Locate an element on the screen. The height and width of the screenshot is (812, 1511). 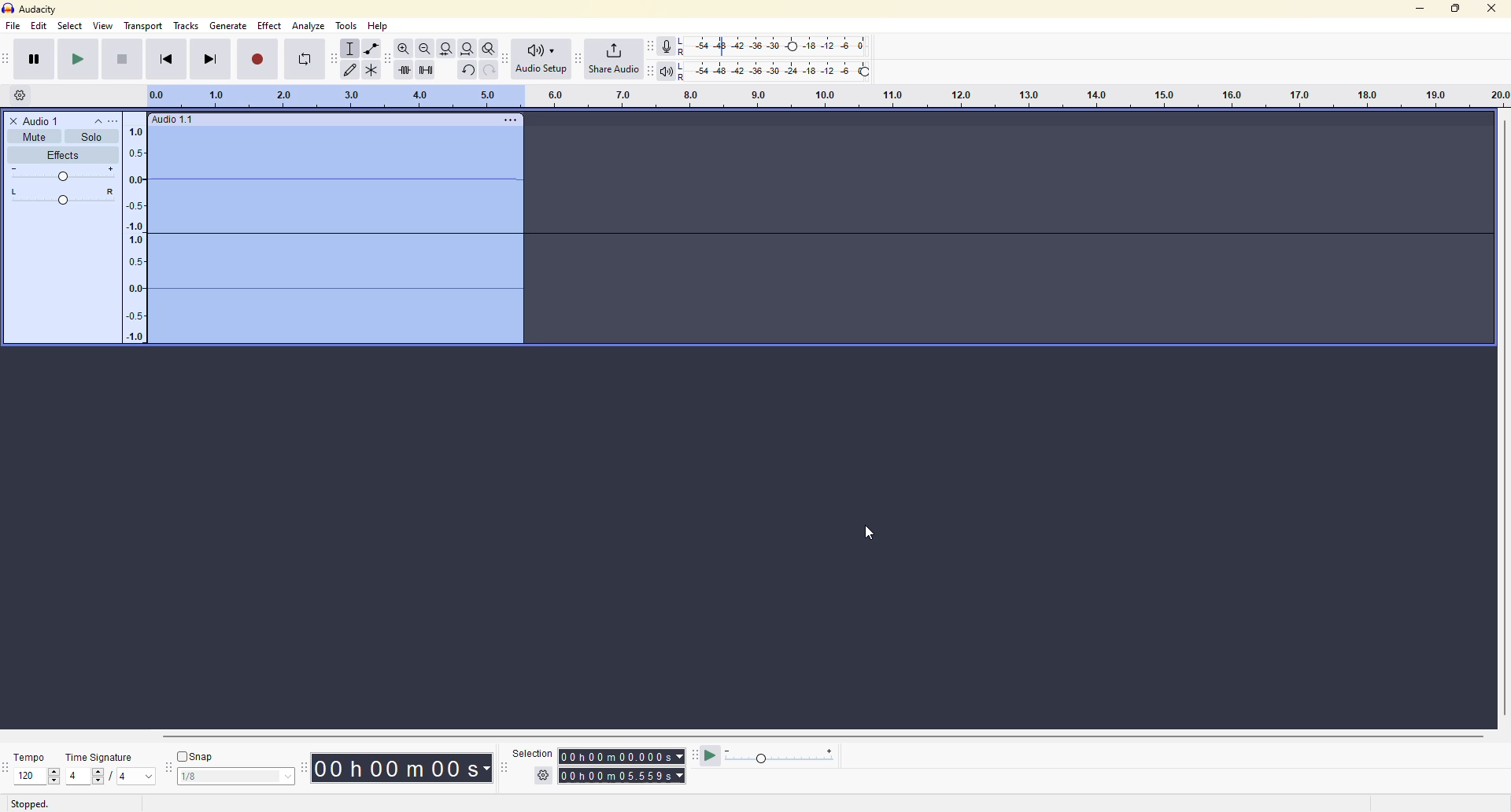
time signature is located at coordinates (101, 757).